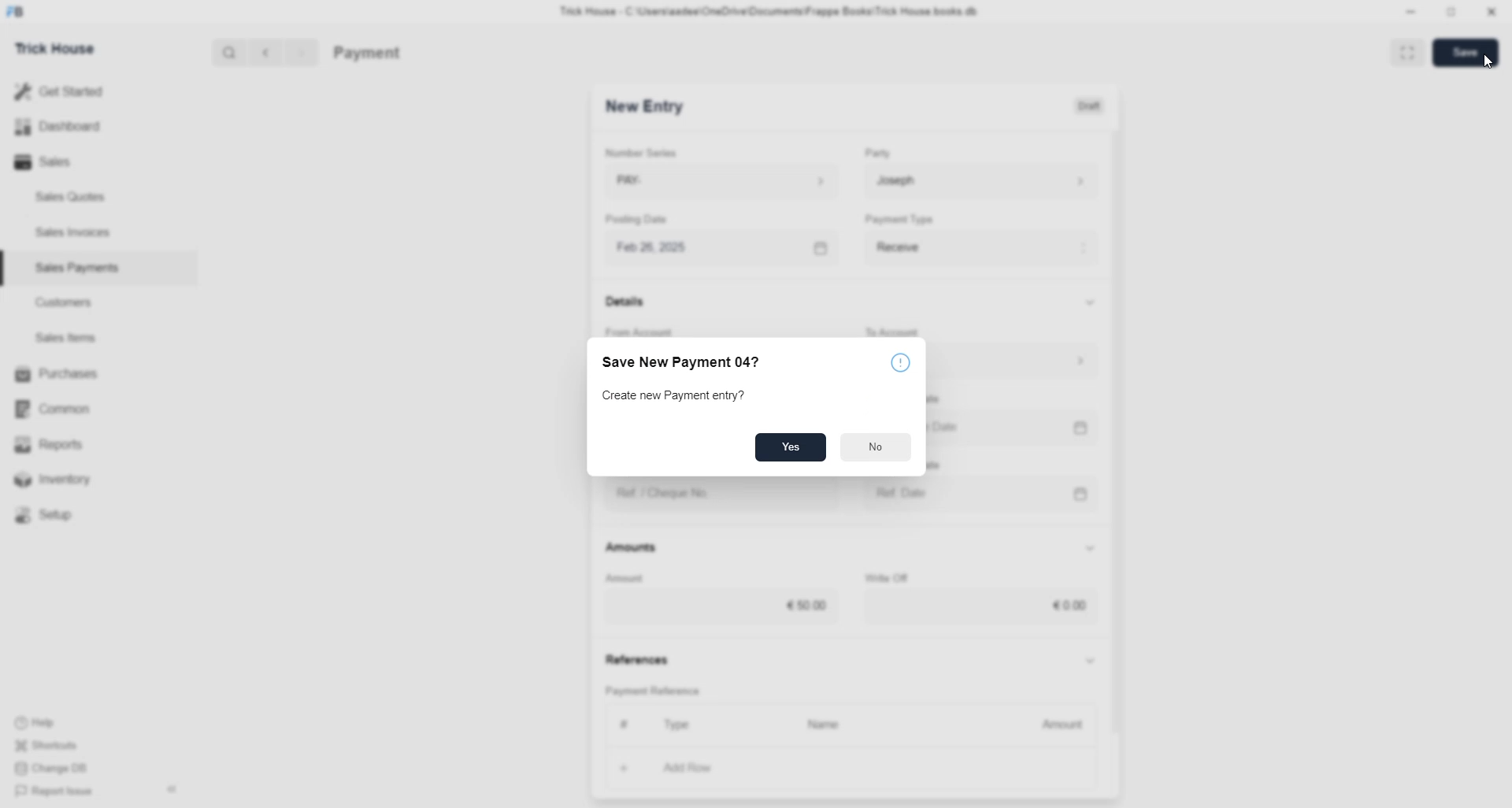 The width and height of the screenshot is (1512, 808). I want to click on Setup, so click(51, 517).